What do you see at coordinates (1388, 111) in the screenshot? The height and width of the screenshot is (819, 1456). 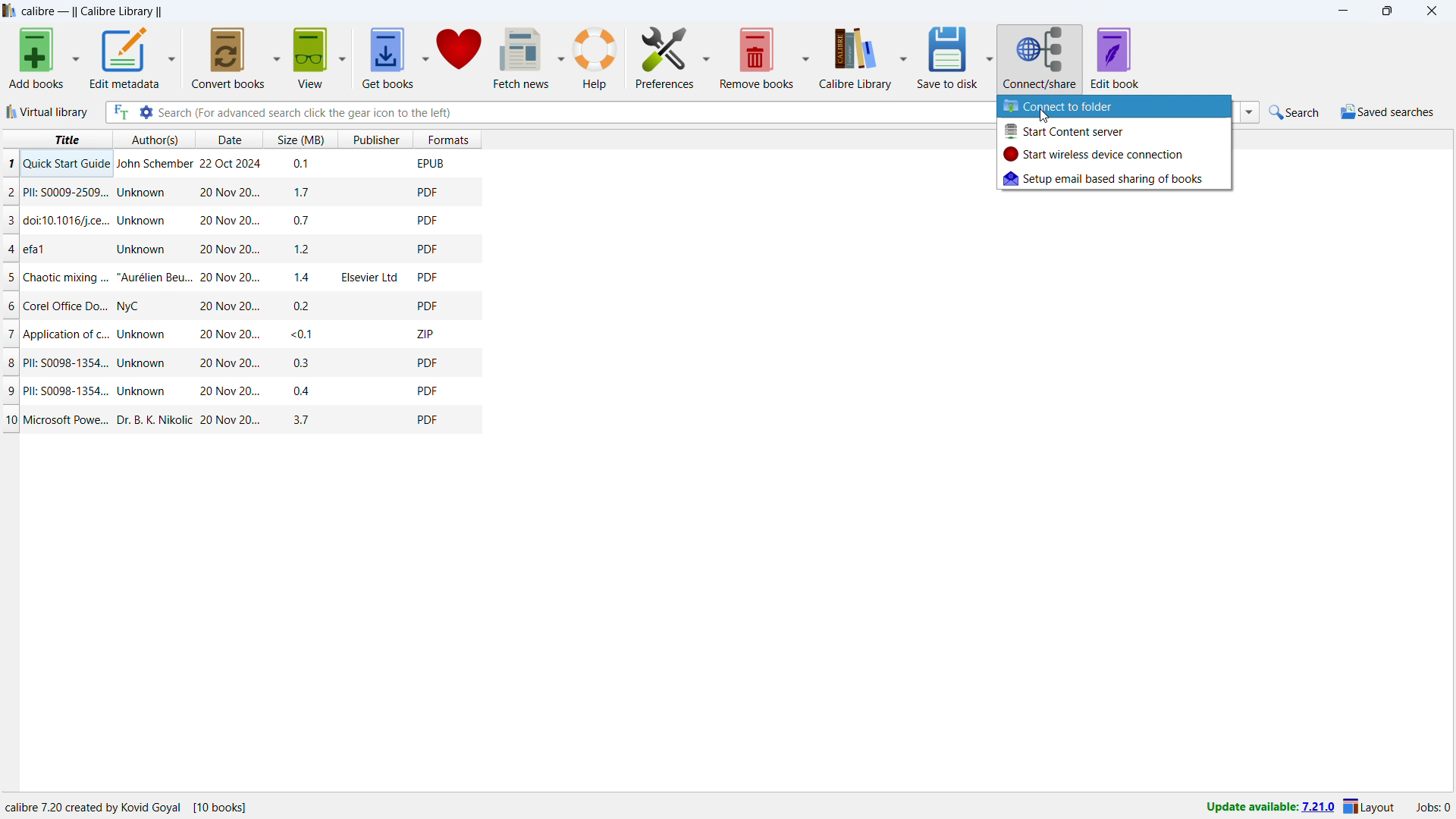 I see `saved searches` at bounding box center [1388, 111].